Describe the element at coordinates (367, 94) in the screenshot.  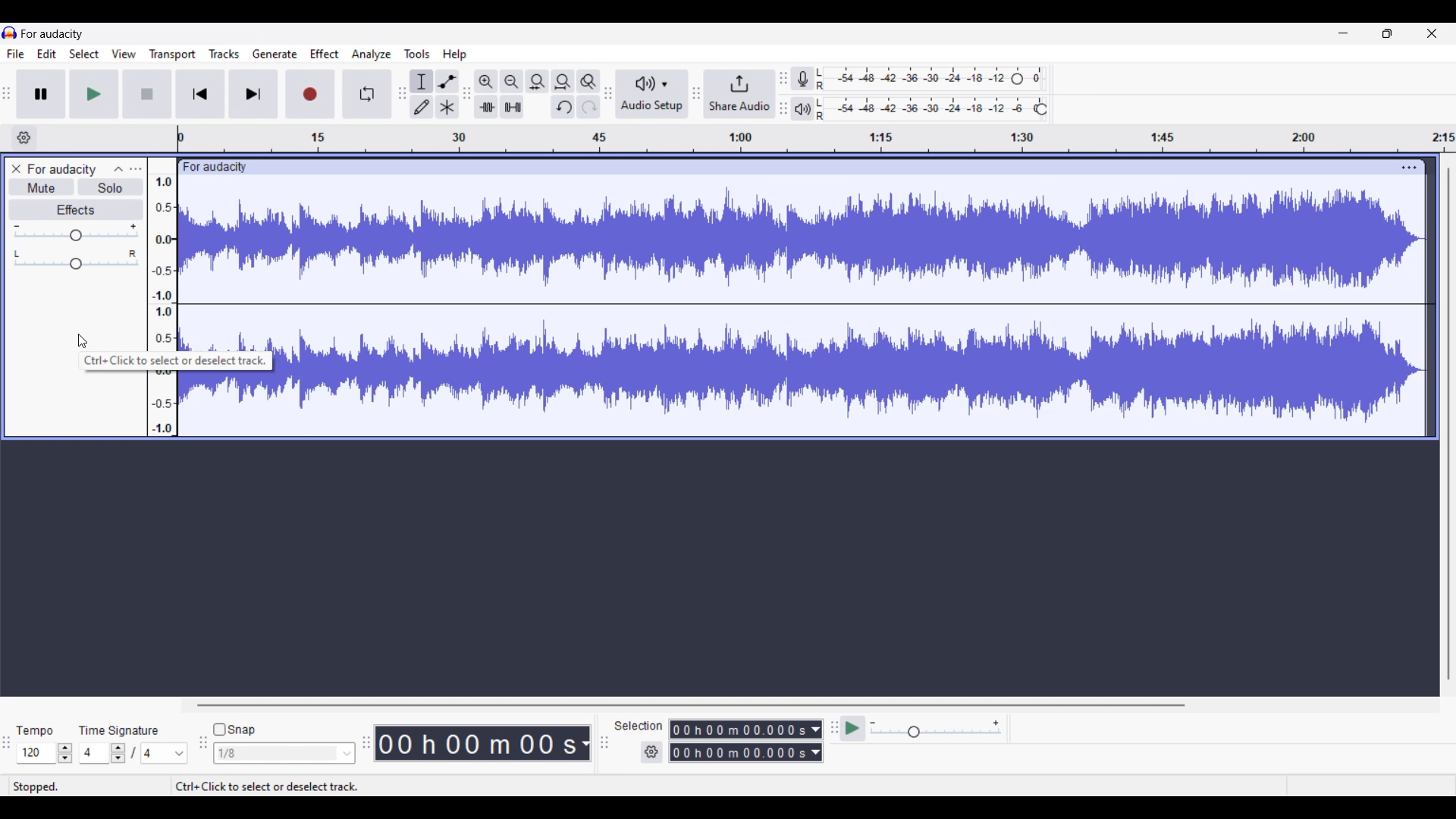
I see `Enable looping` at that location.